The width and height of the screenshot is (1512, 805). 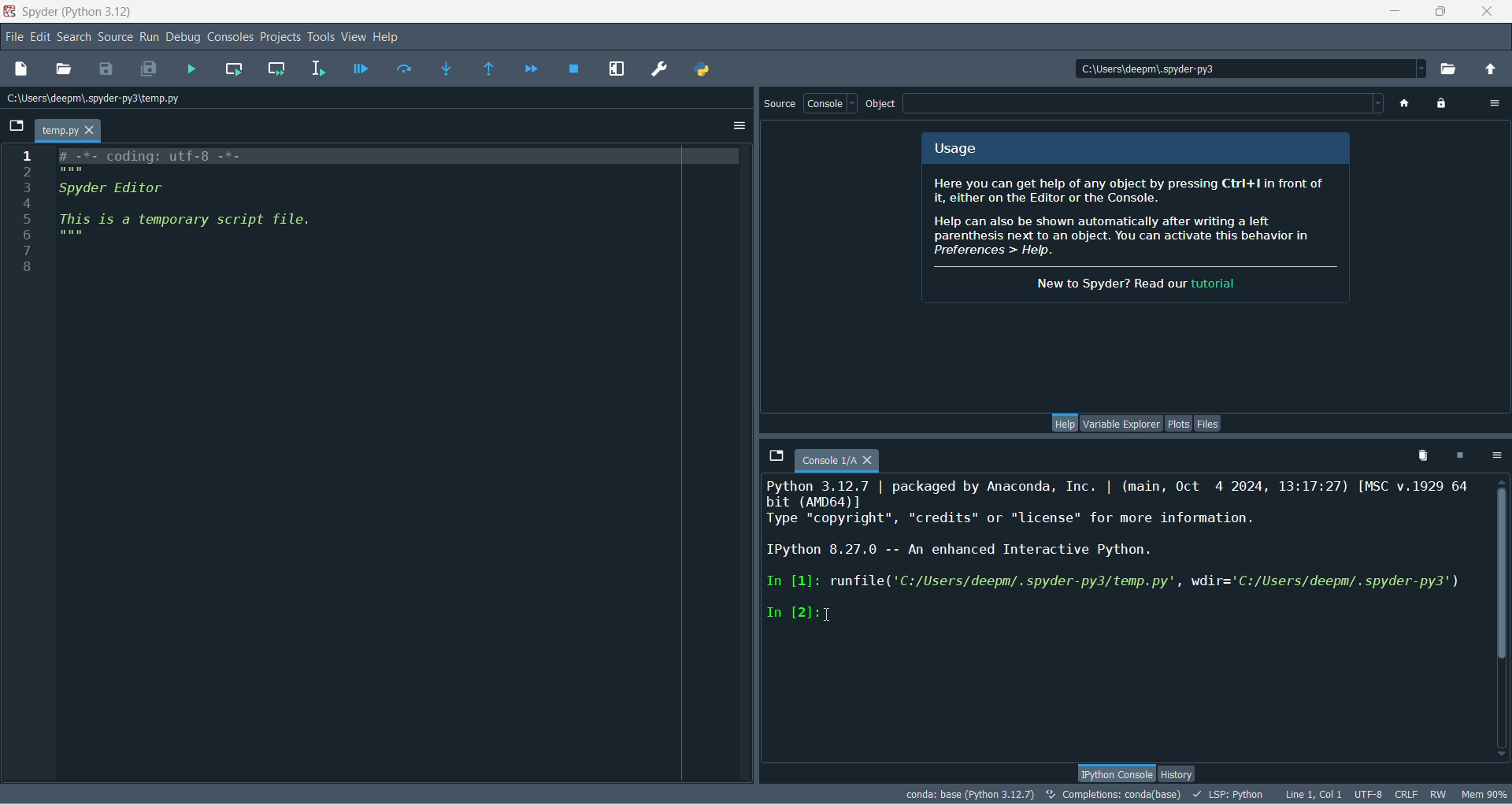 I want to click on conda:base, so click(x=969, y=794).